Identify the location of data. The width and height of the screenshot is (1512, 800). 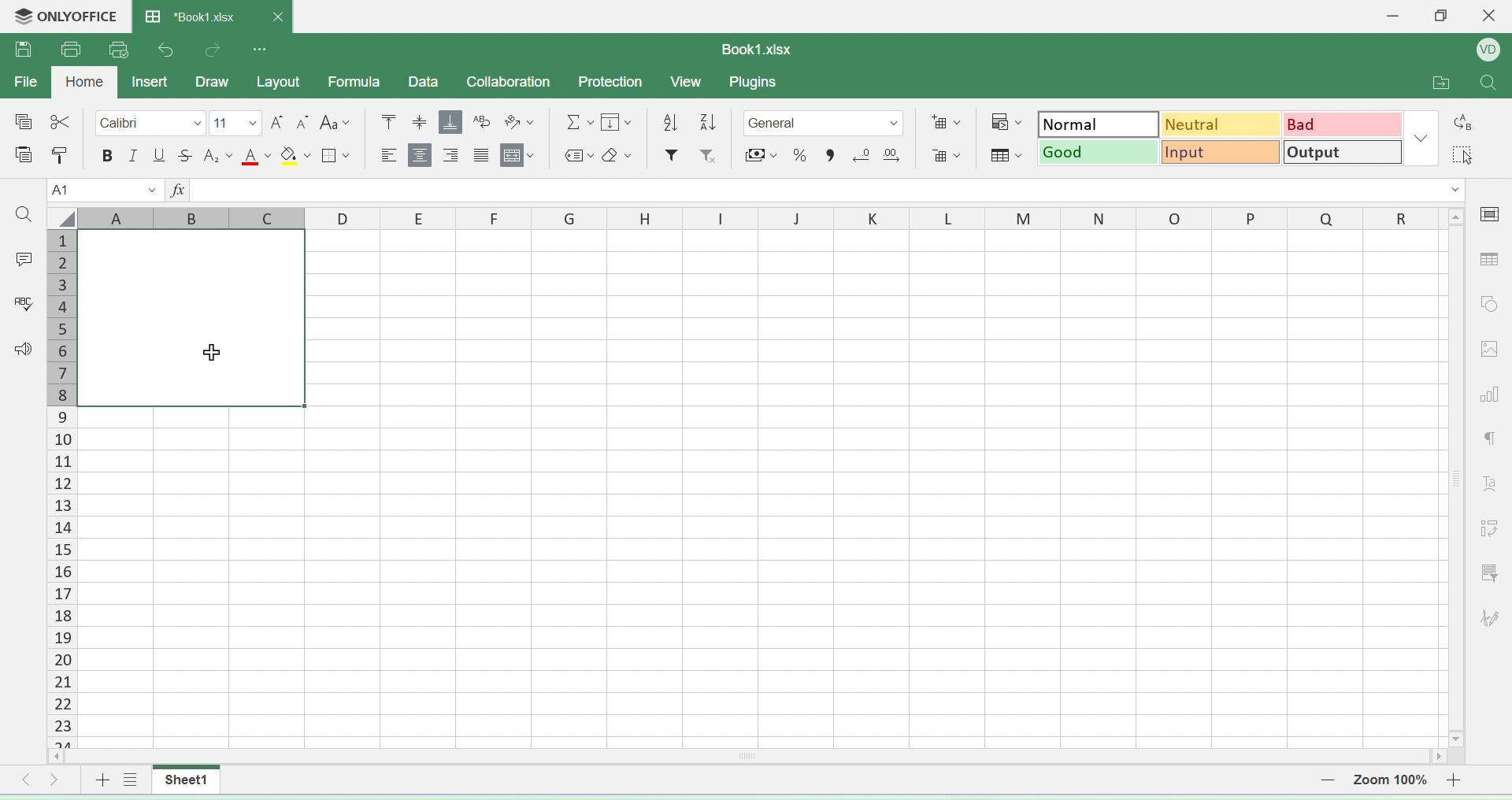
(422, 81).